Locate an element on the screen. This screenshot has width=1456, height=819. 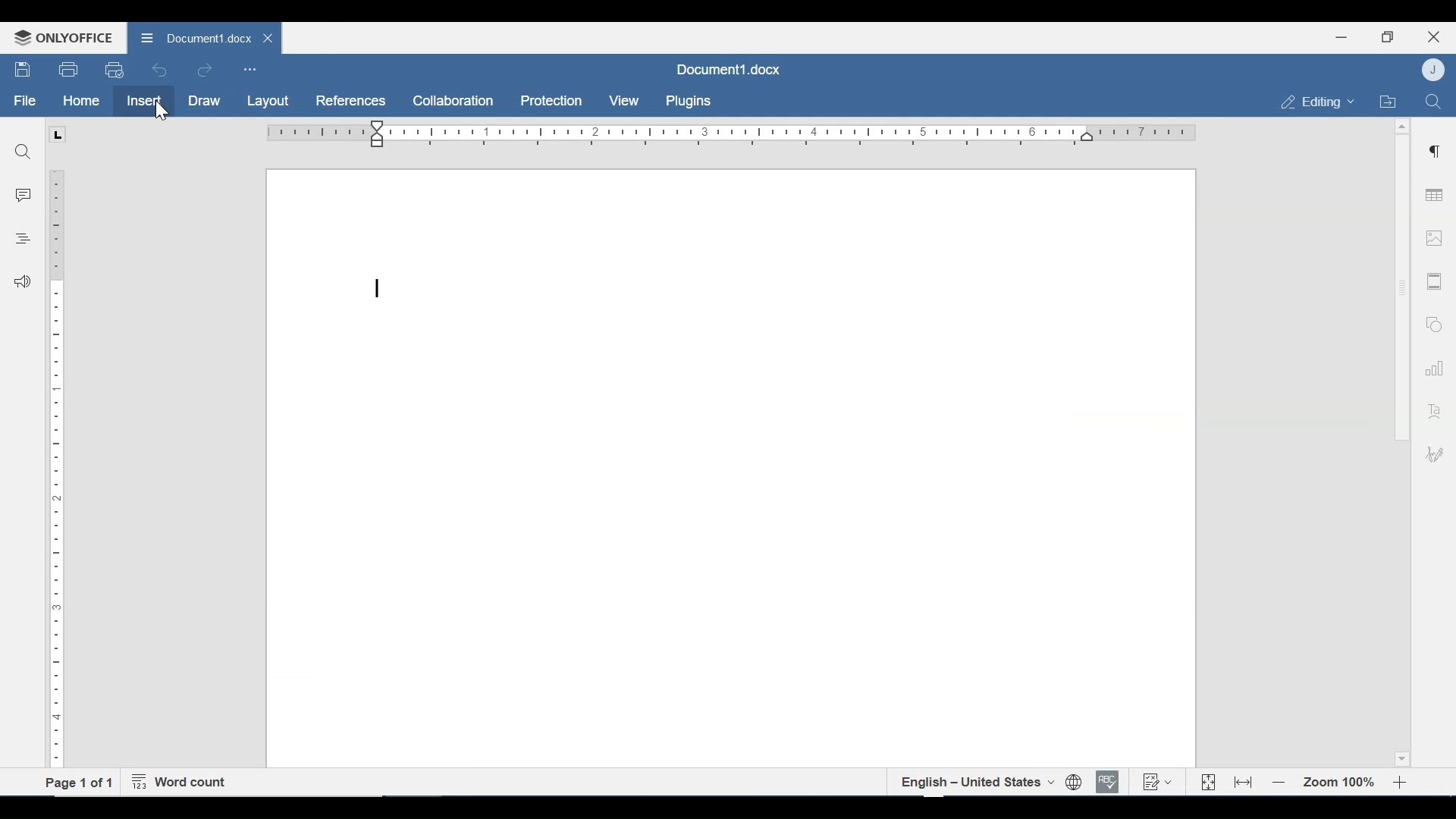
Print is located at coordinates (69, 70).